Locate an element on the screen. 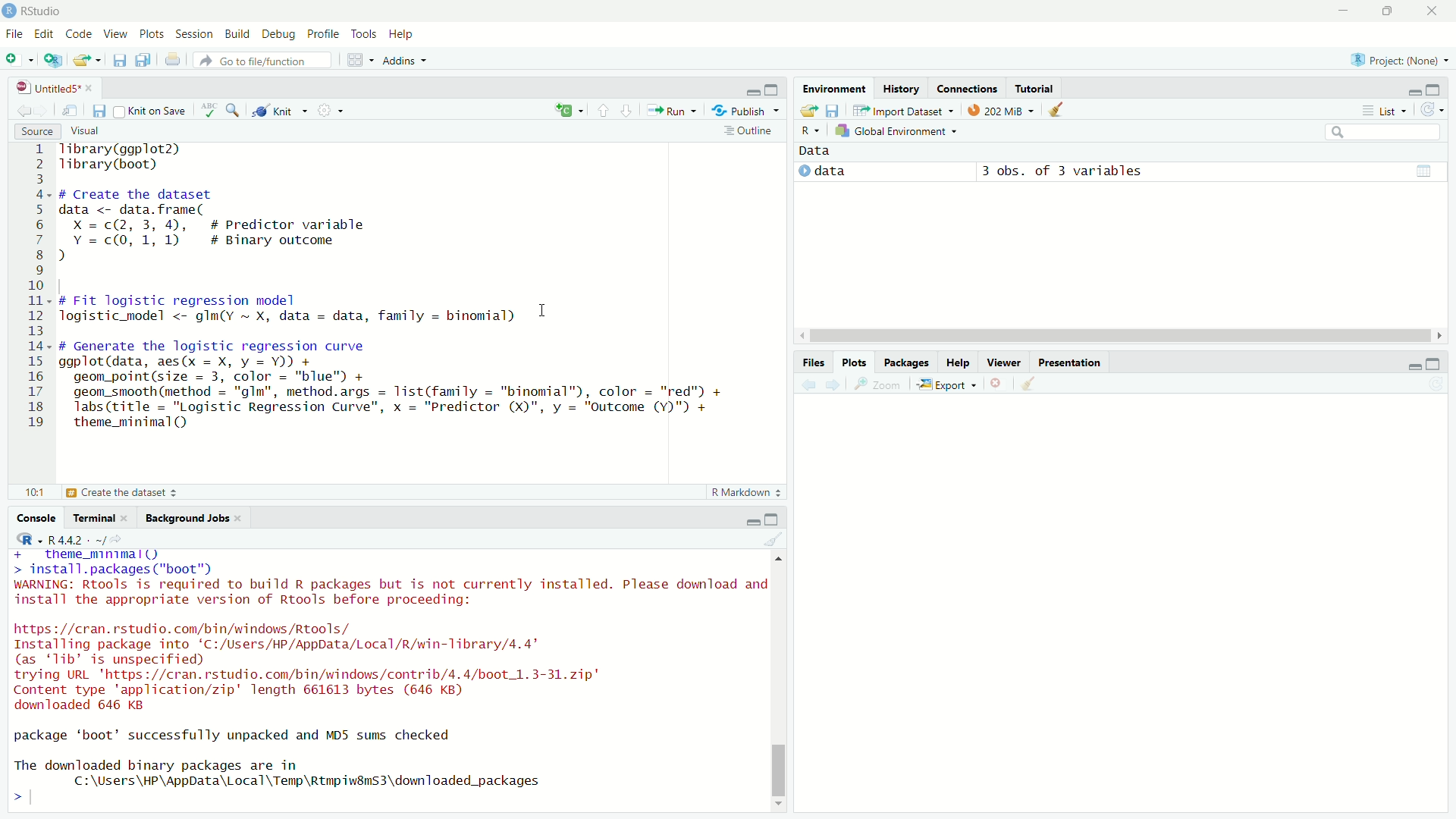  Code is located at coordinates (77, 33).